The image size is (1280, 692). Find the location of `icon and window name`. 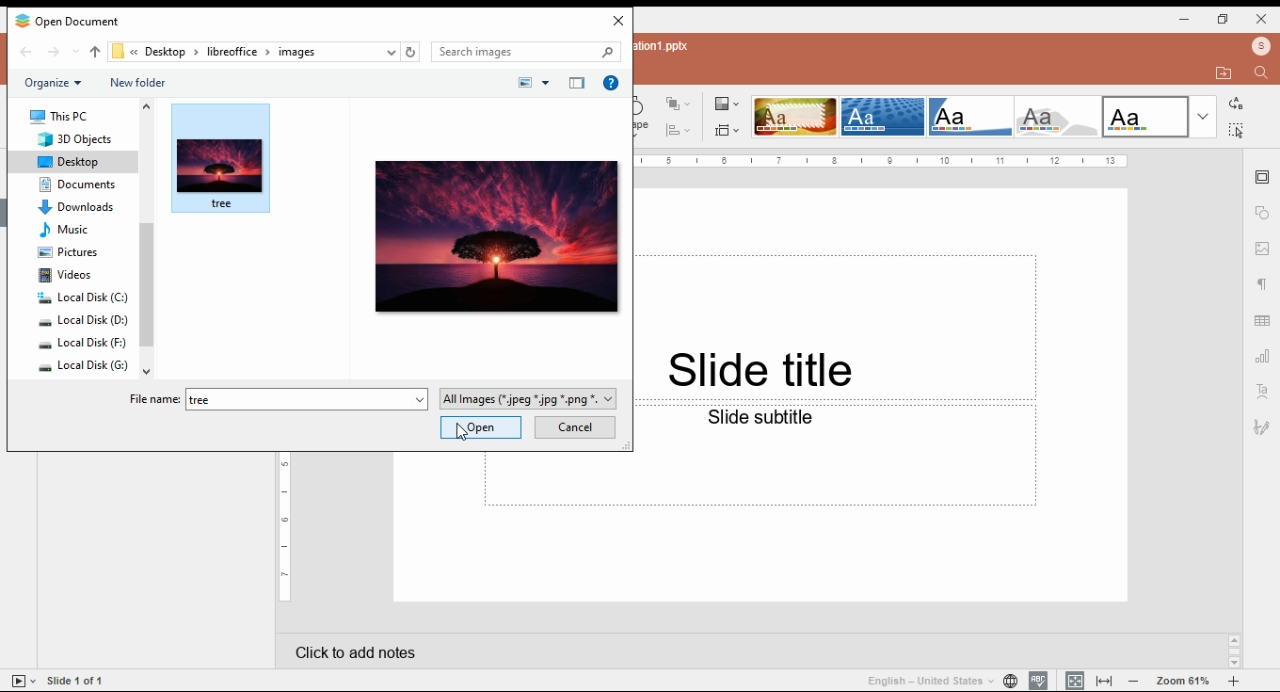

icon and window name is located at coordinates (67, 20).